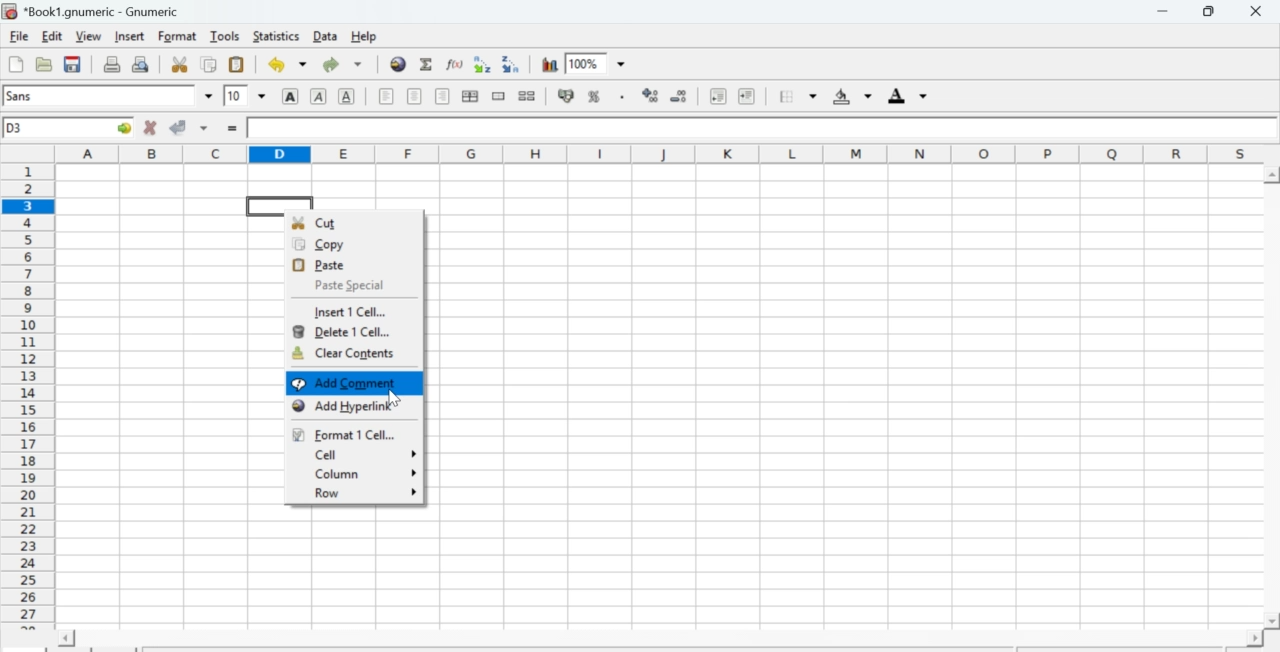 The width and height of the screenshot is (1280, 652). Describe the element at coordinates (42, 65) in the screenshot. I see `Open a file` at that location.